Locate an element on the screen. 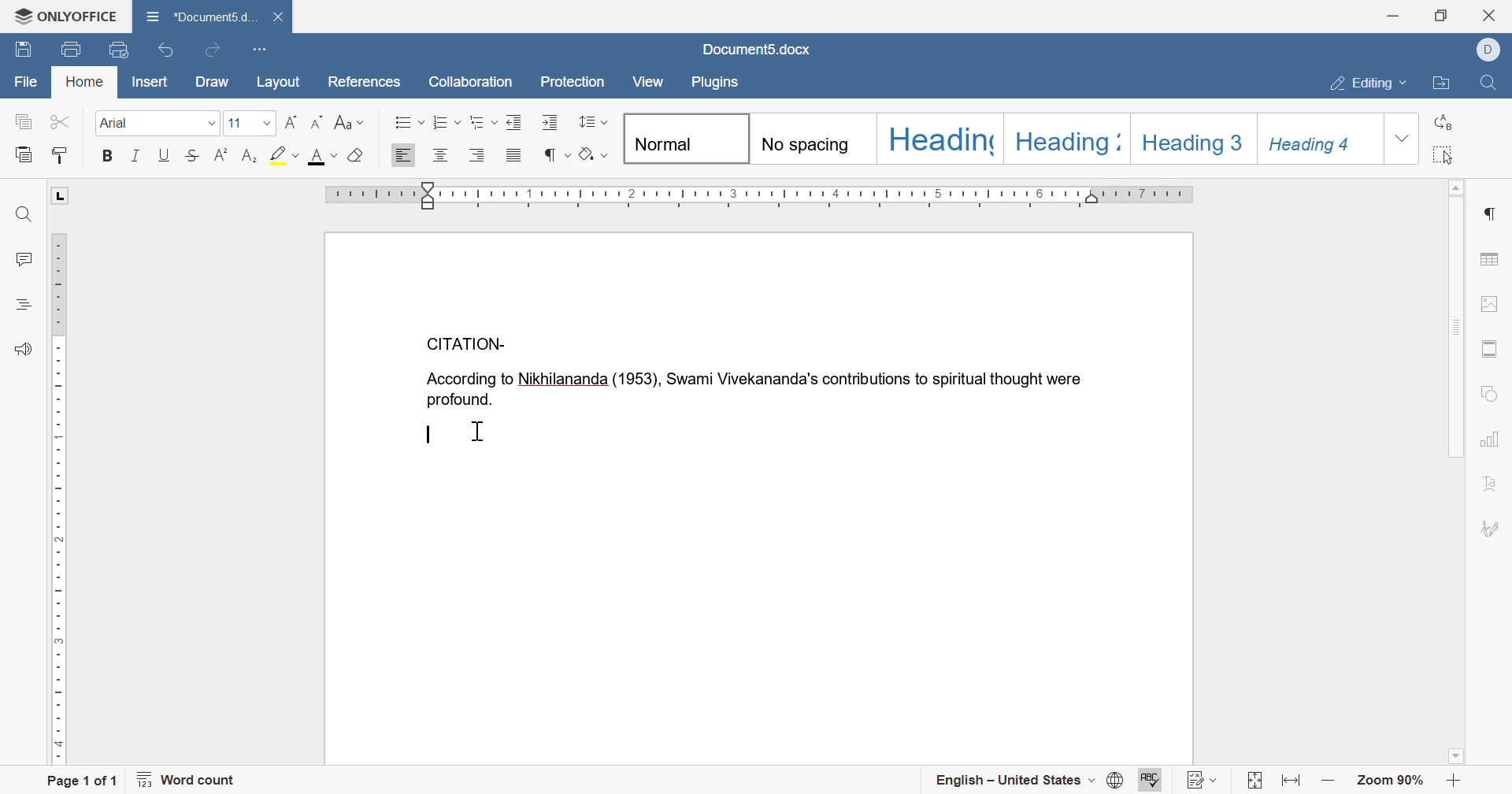 The width and height of the screenshot is (1512, 794). select all is located at coordinates (1448, 154).